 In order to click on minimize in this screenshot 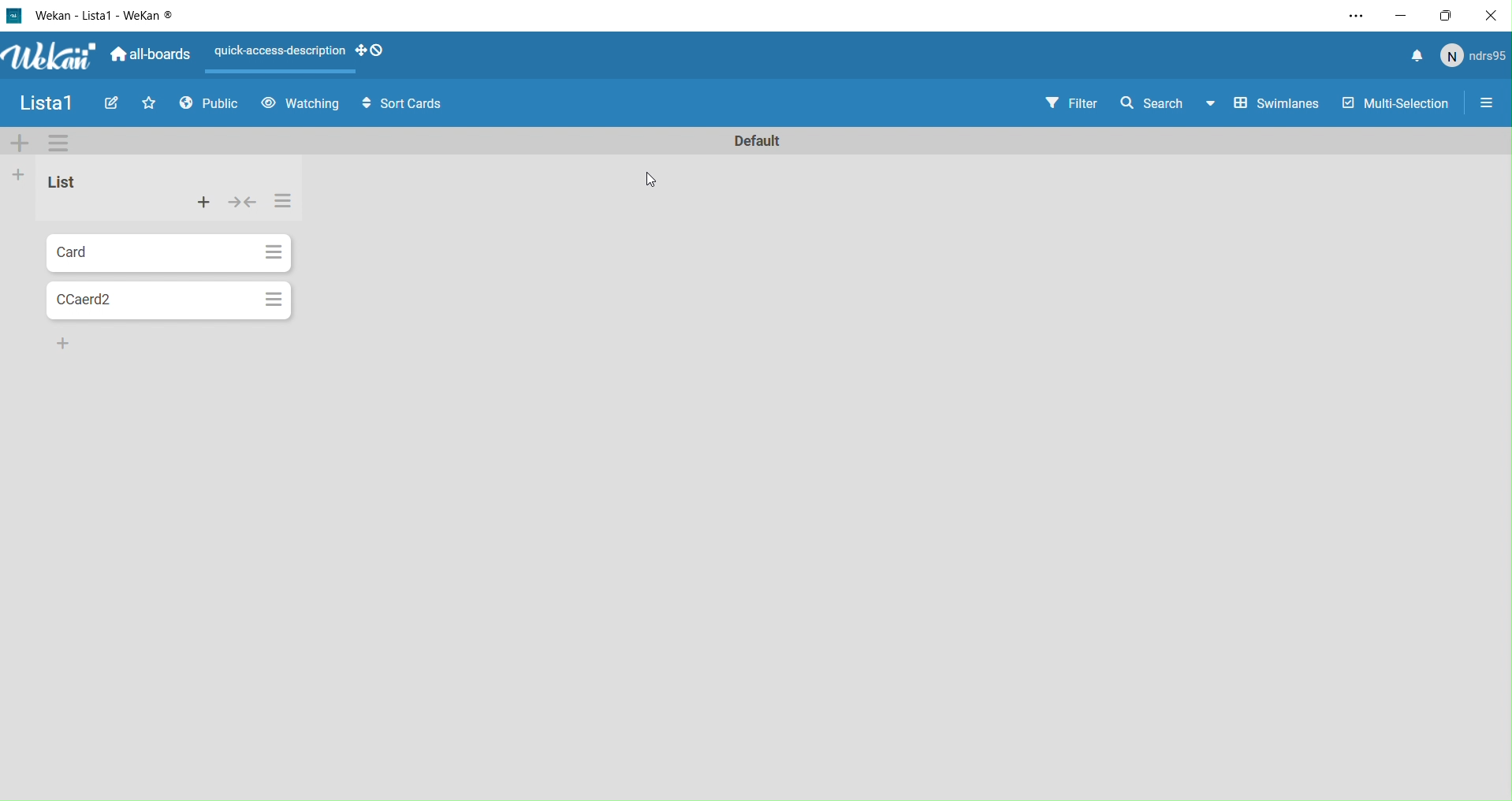, I will do `click(1404, 13)`.